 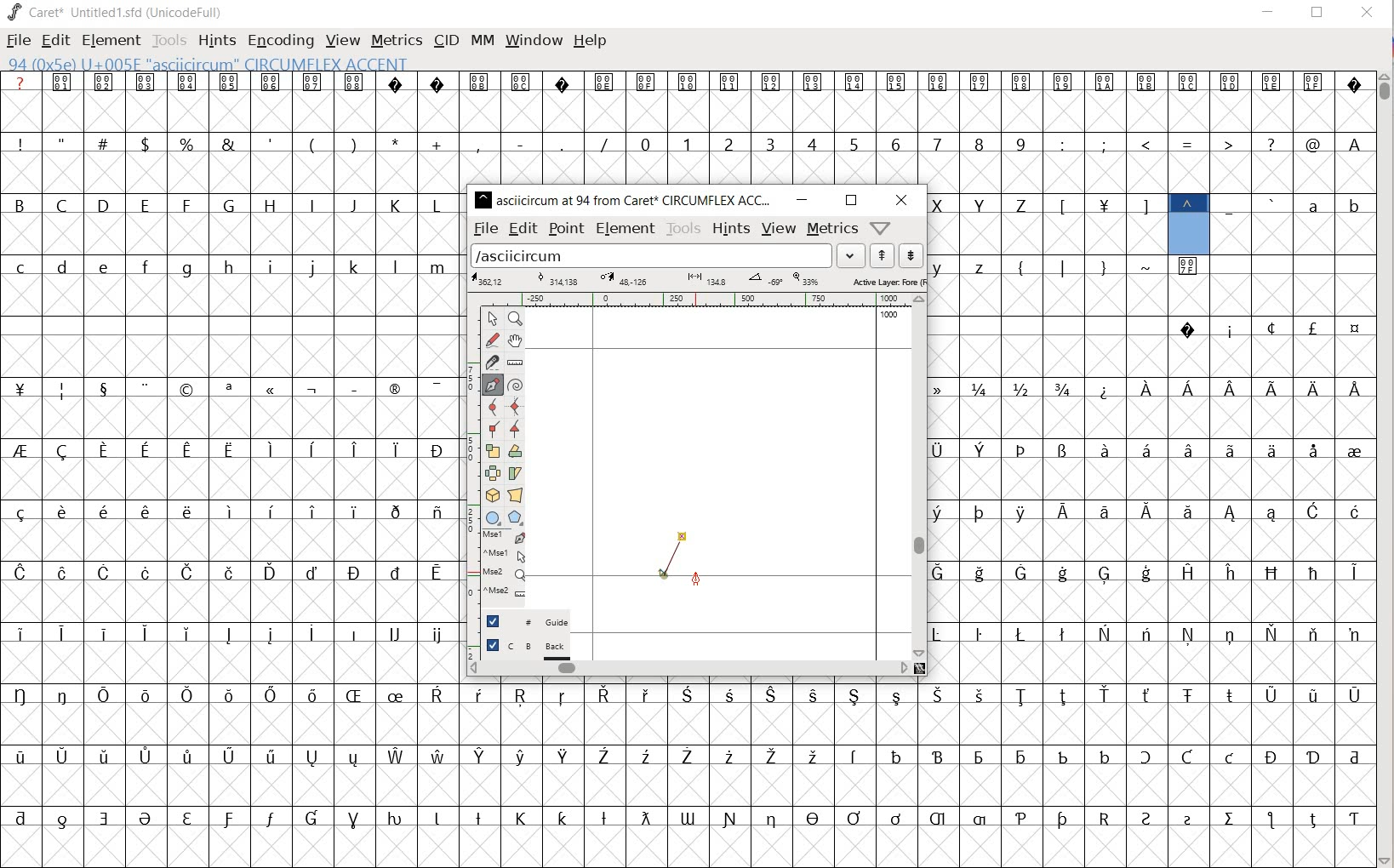 What do you see at coordinates (281, 39) in the screenshot?
I see `ENCODING` at bounding box center [281, 39].